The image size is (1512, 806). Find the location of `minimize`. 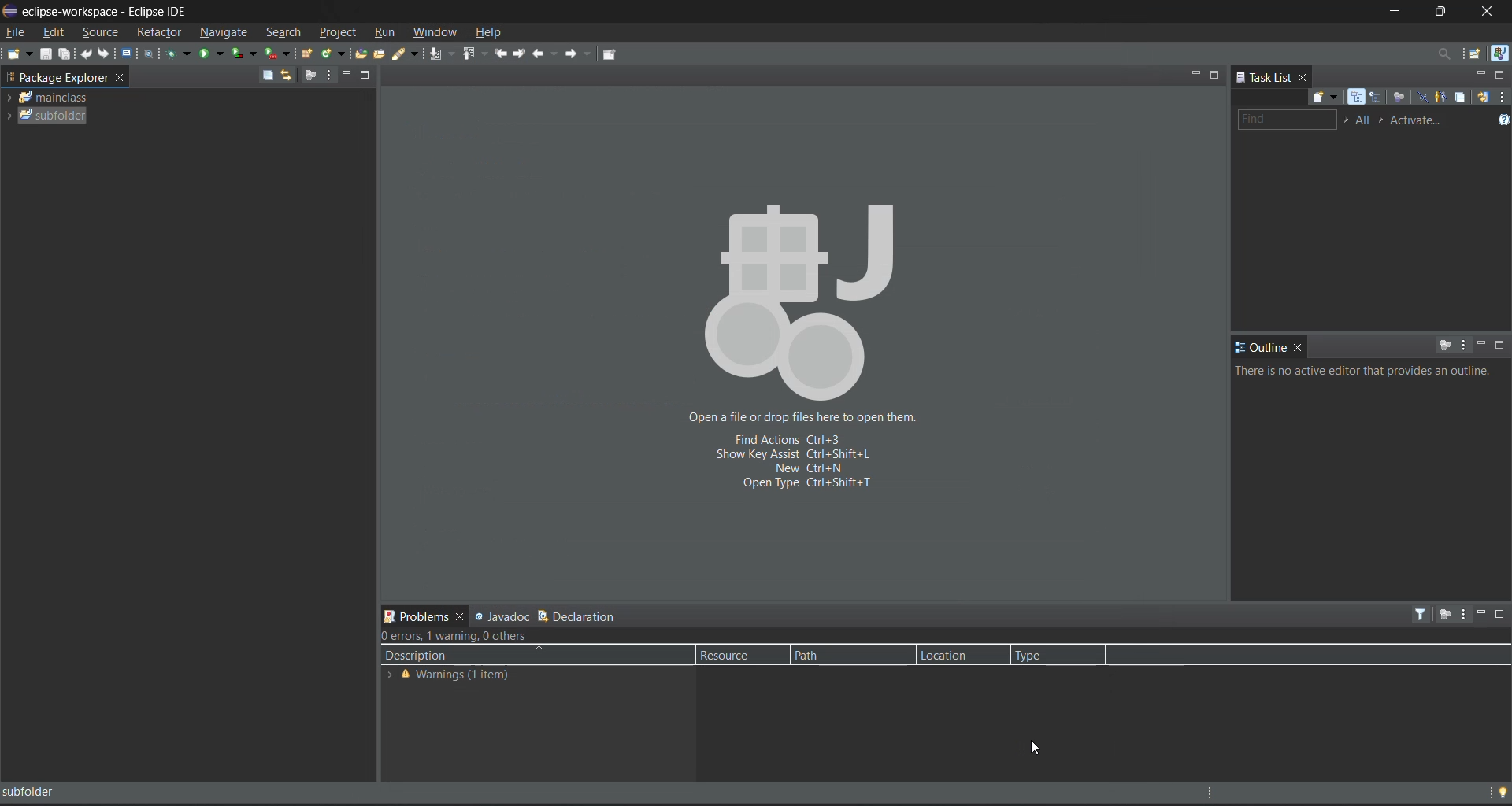

minimize is located at coordinates (1480, 75).